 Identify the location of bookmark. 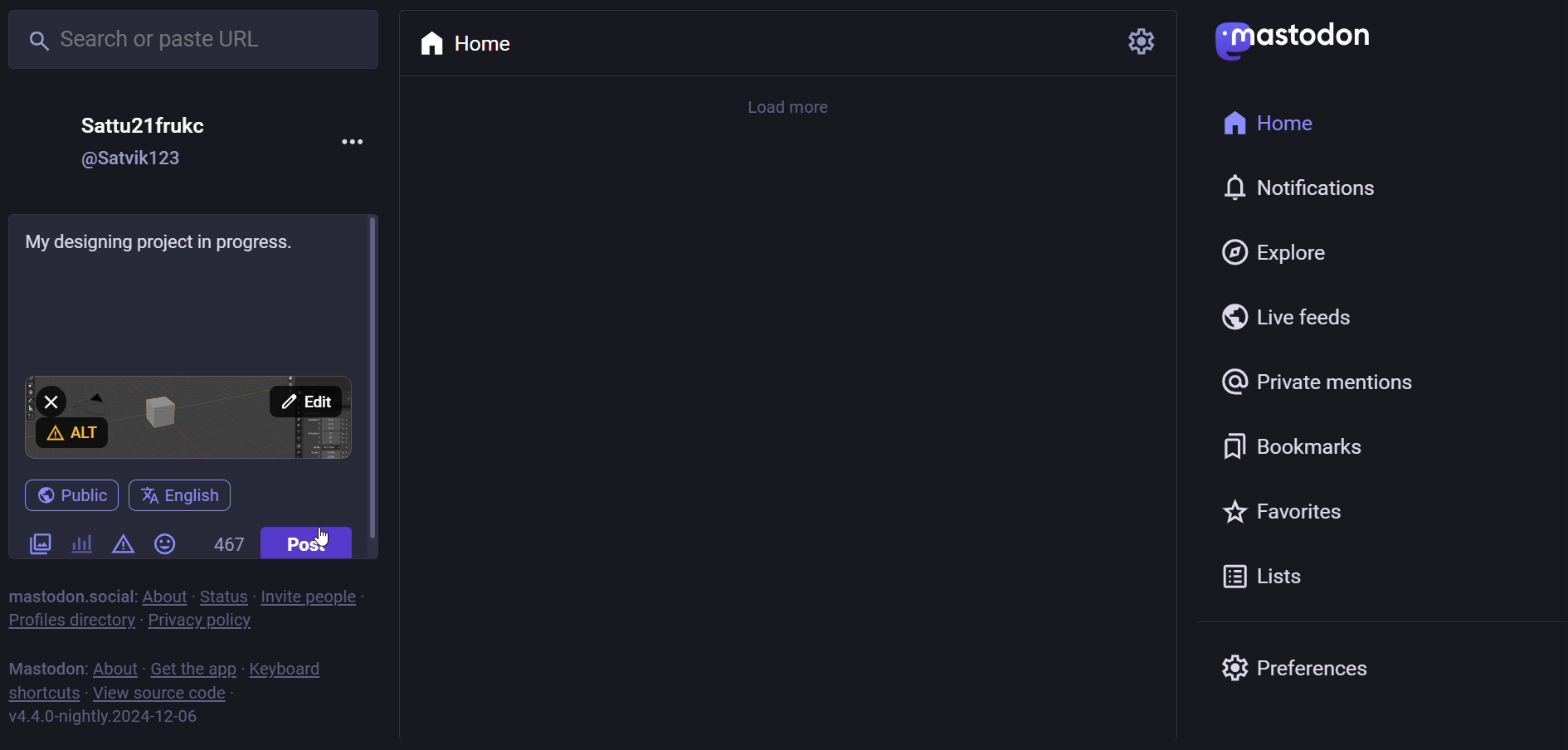
(1288, 444).